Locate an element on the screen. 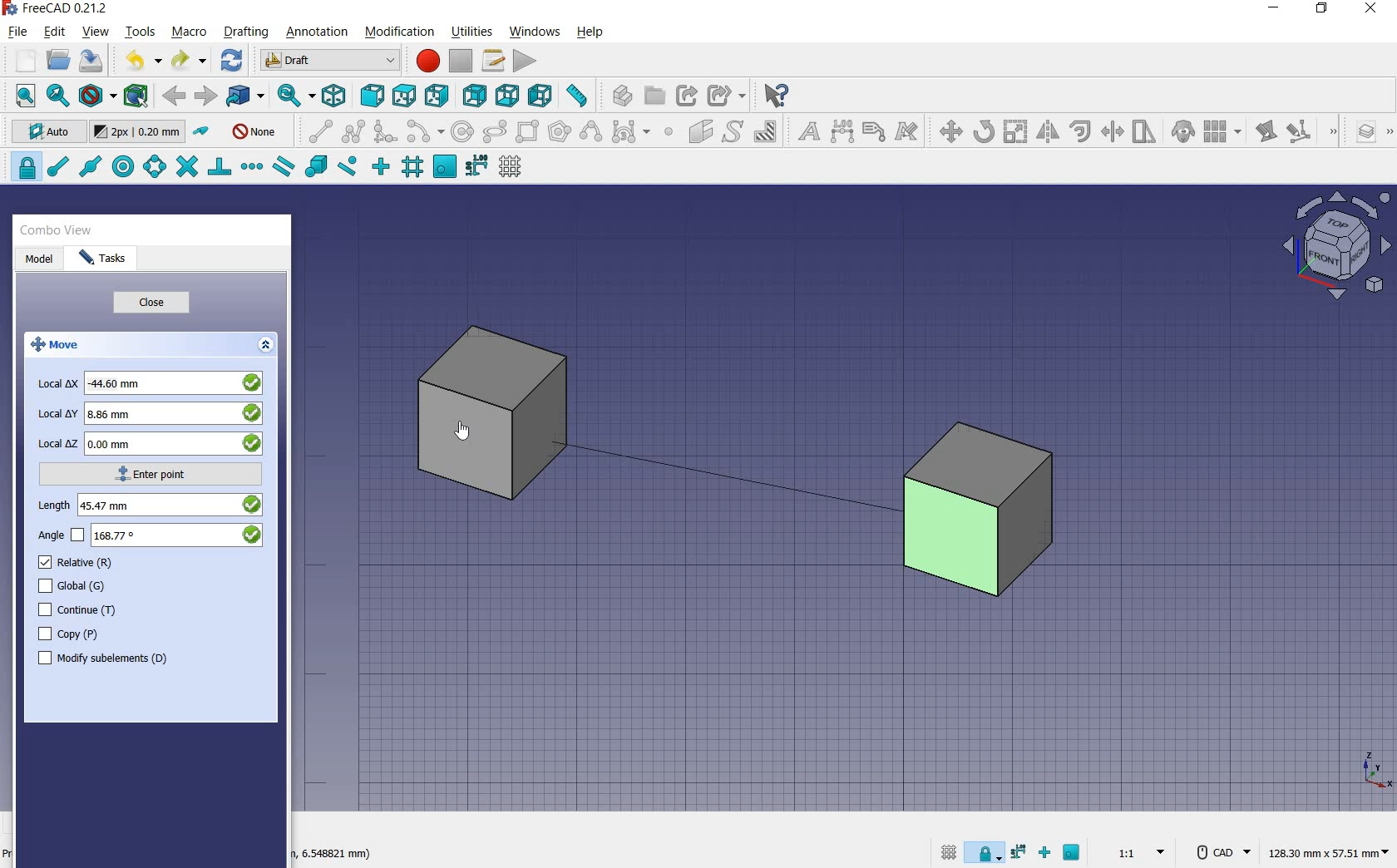  rectangle is located at coordinates (530, 131).